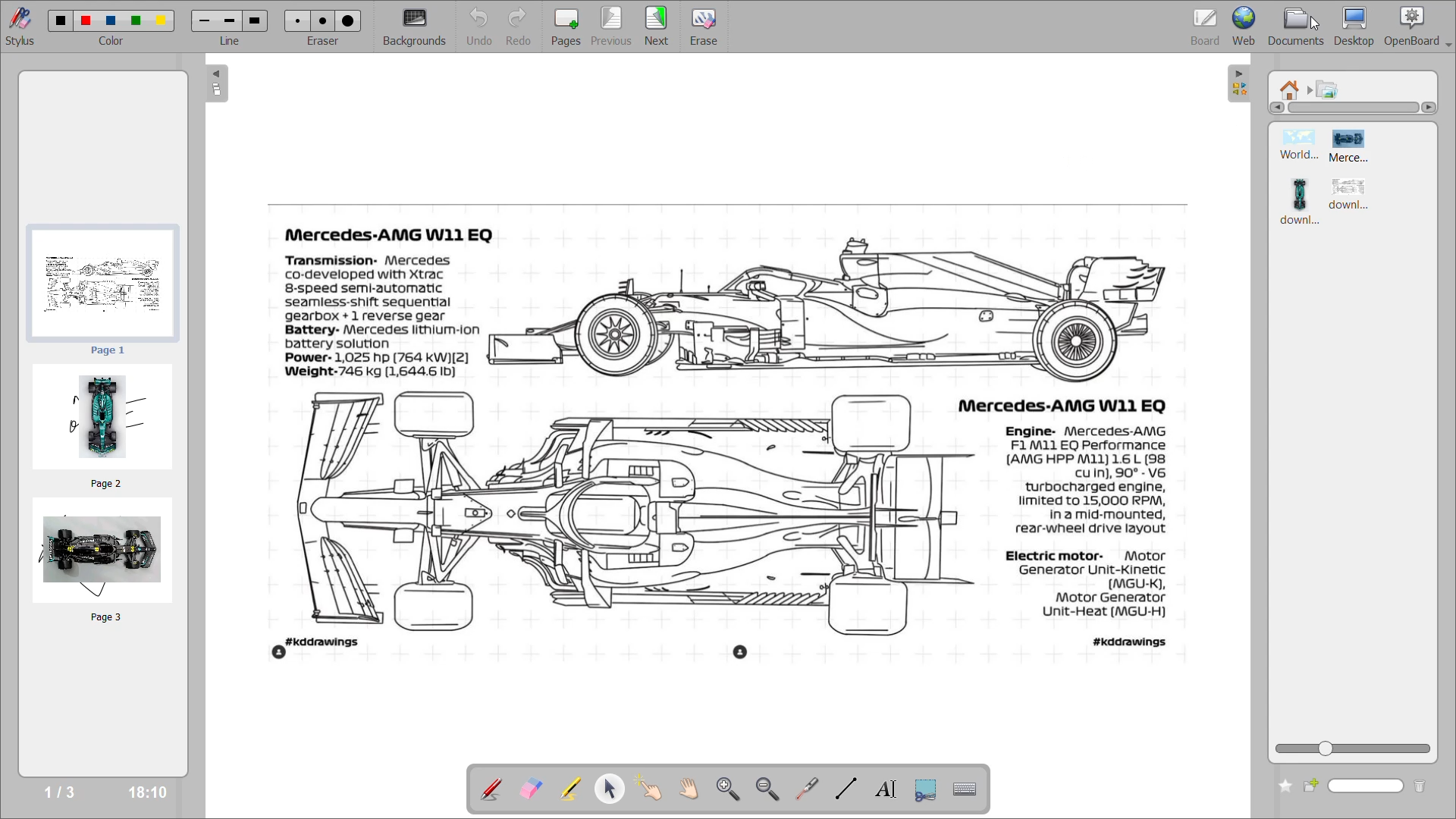 This screenshot has width=1456, height=819. Describe the element at coordinates (1354, 196) in the screenshot. I see `downloaded image` at that location.